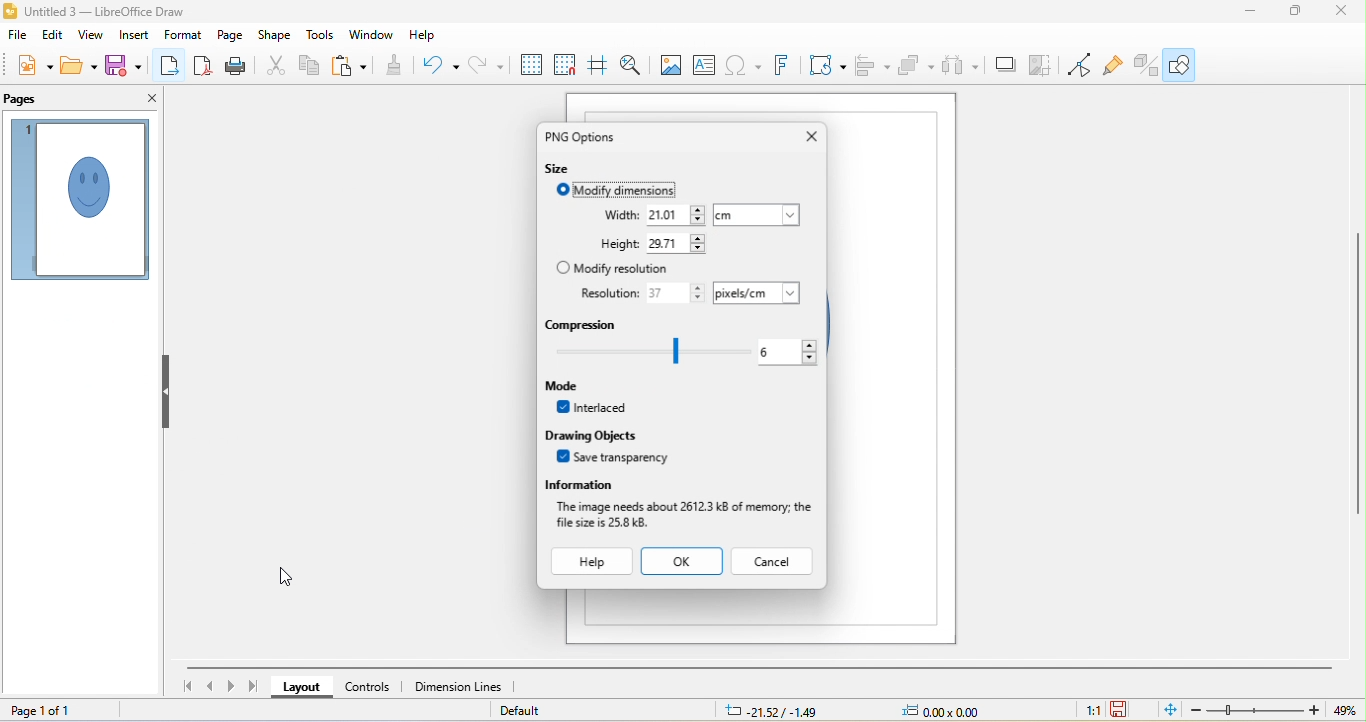 The height and width of the screenshot is (722, 1366). What do you see at coordinates (351, 64) in the screenshot?
I see `paste` at bounding box center [351, 64].